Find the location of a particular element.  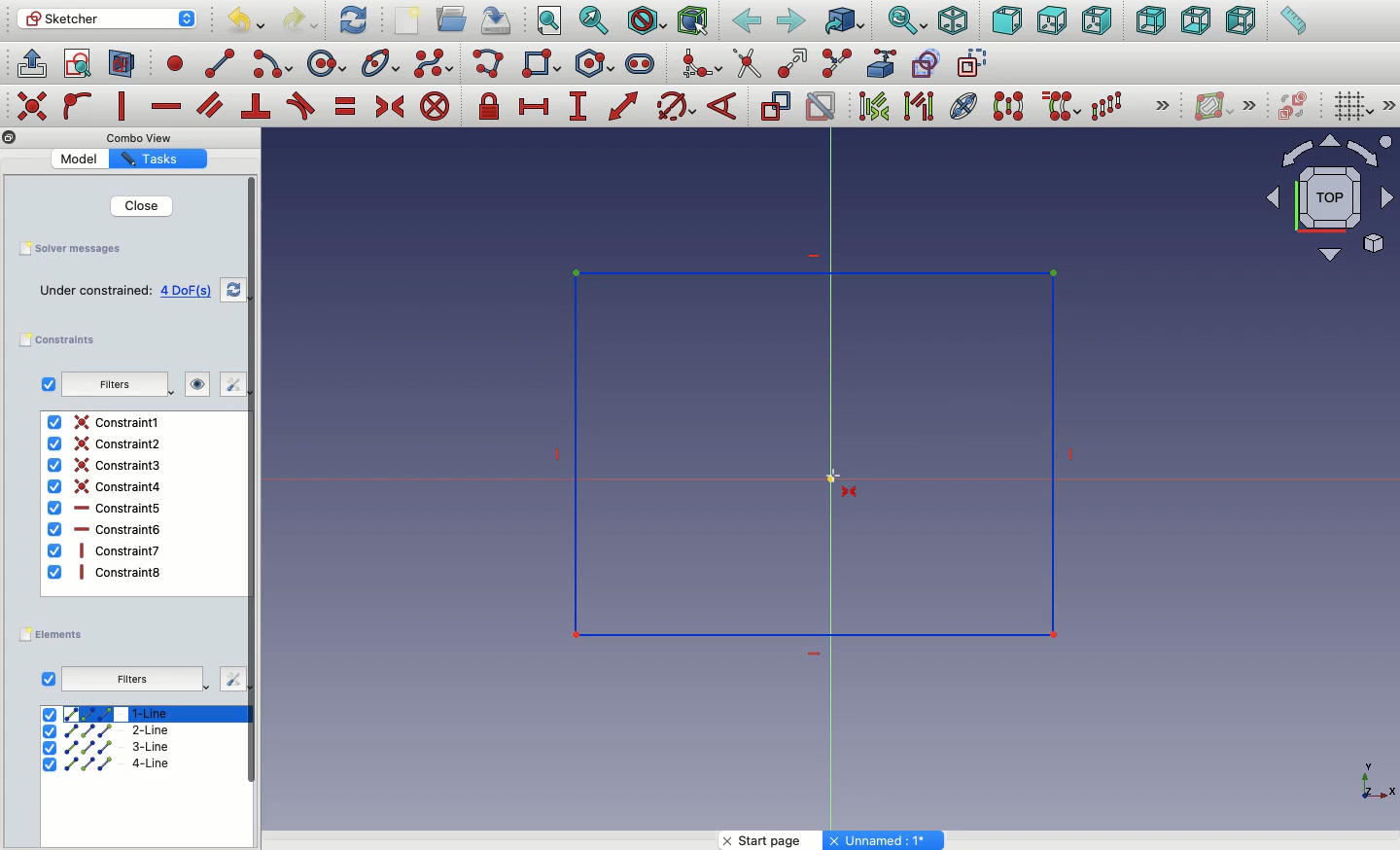

view sections is located at coordinates (126, 65).